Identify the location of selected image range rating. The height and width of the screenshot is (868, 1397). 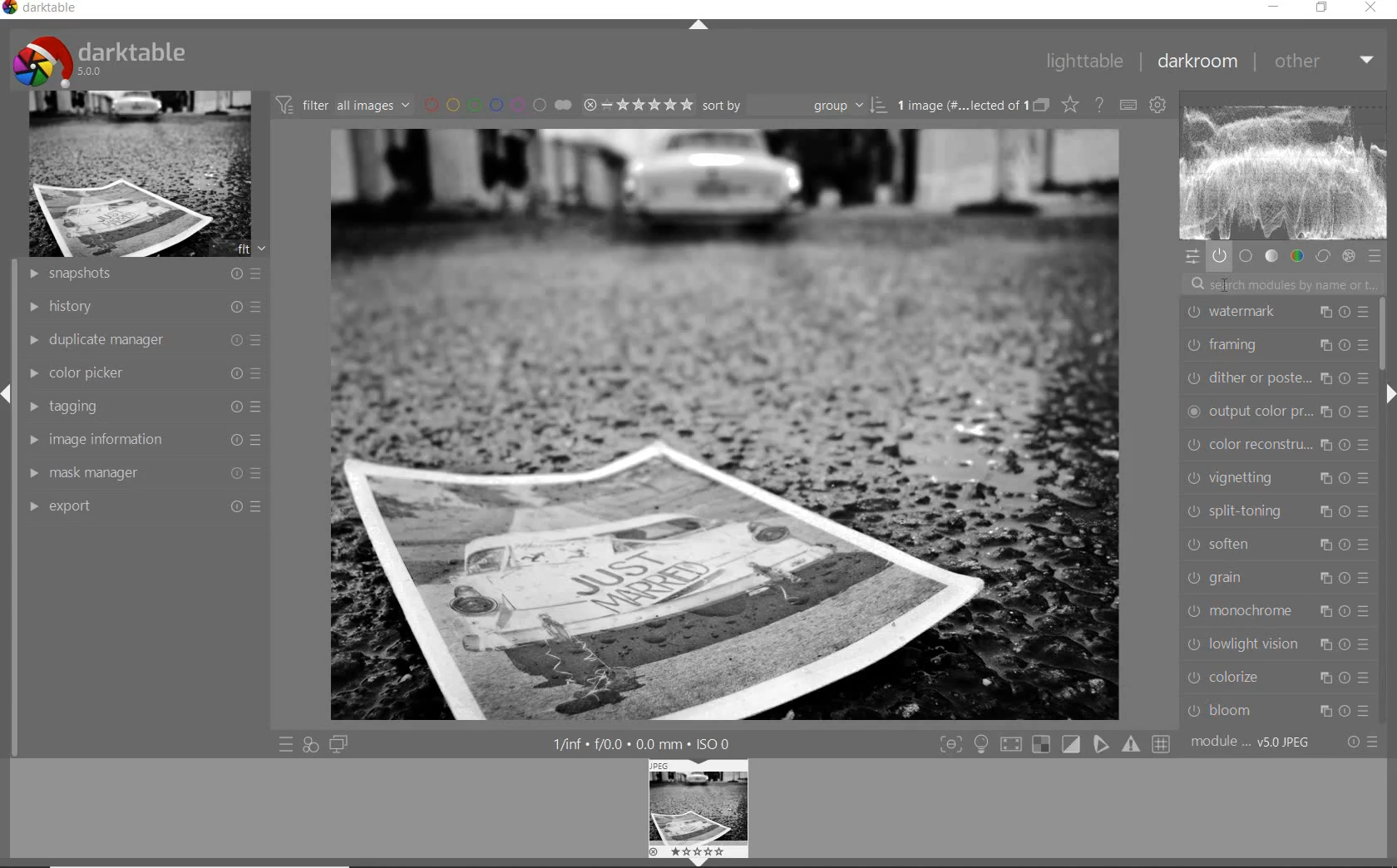
(635, 105).